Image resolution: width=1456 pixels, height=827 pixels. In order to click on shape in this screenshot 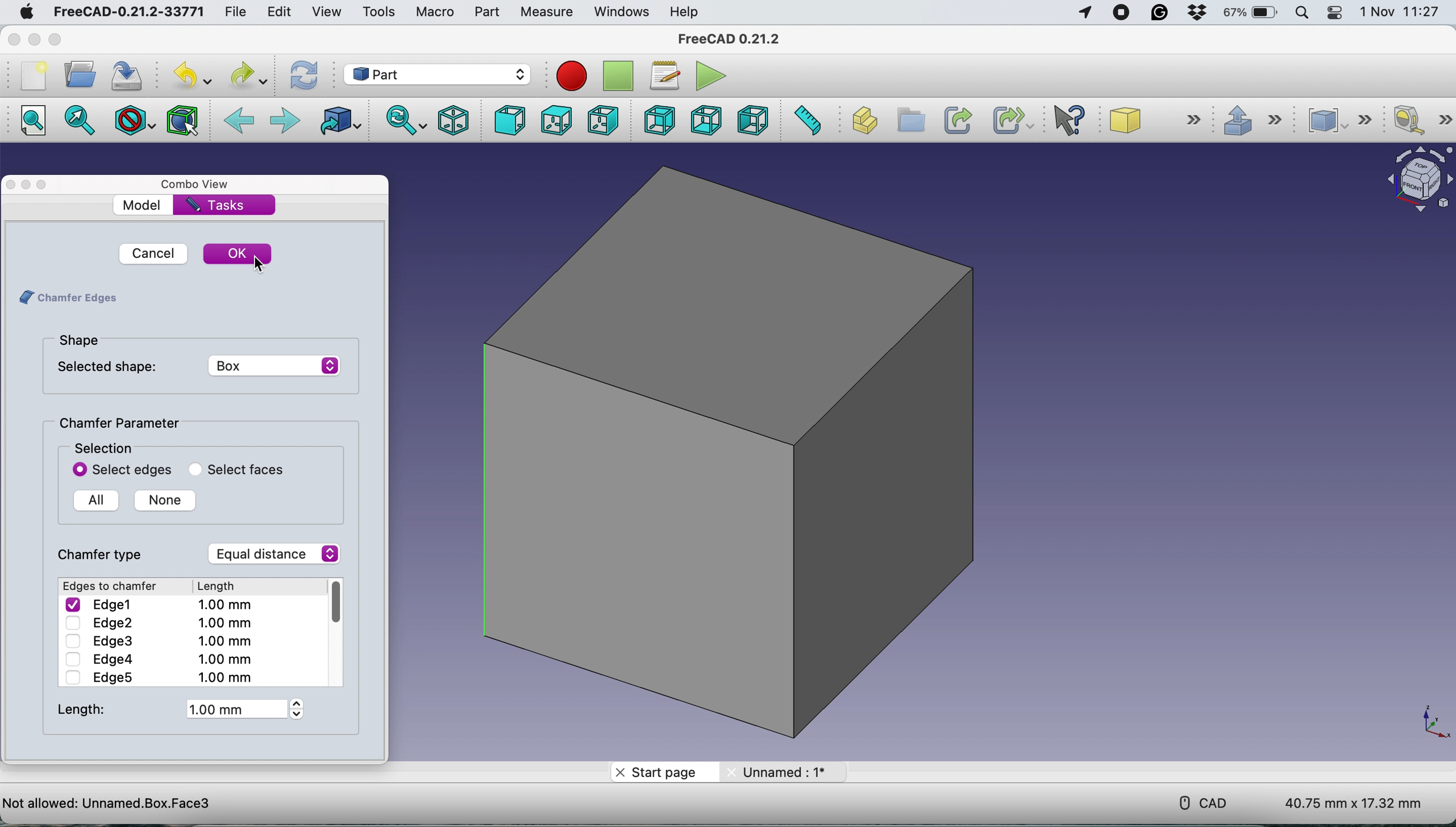, I will do `click(82, 340)`.